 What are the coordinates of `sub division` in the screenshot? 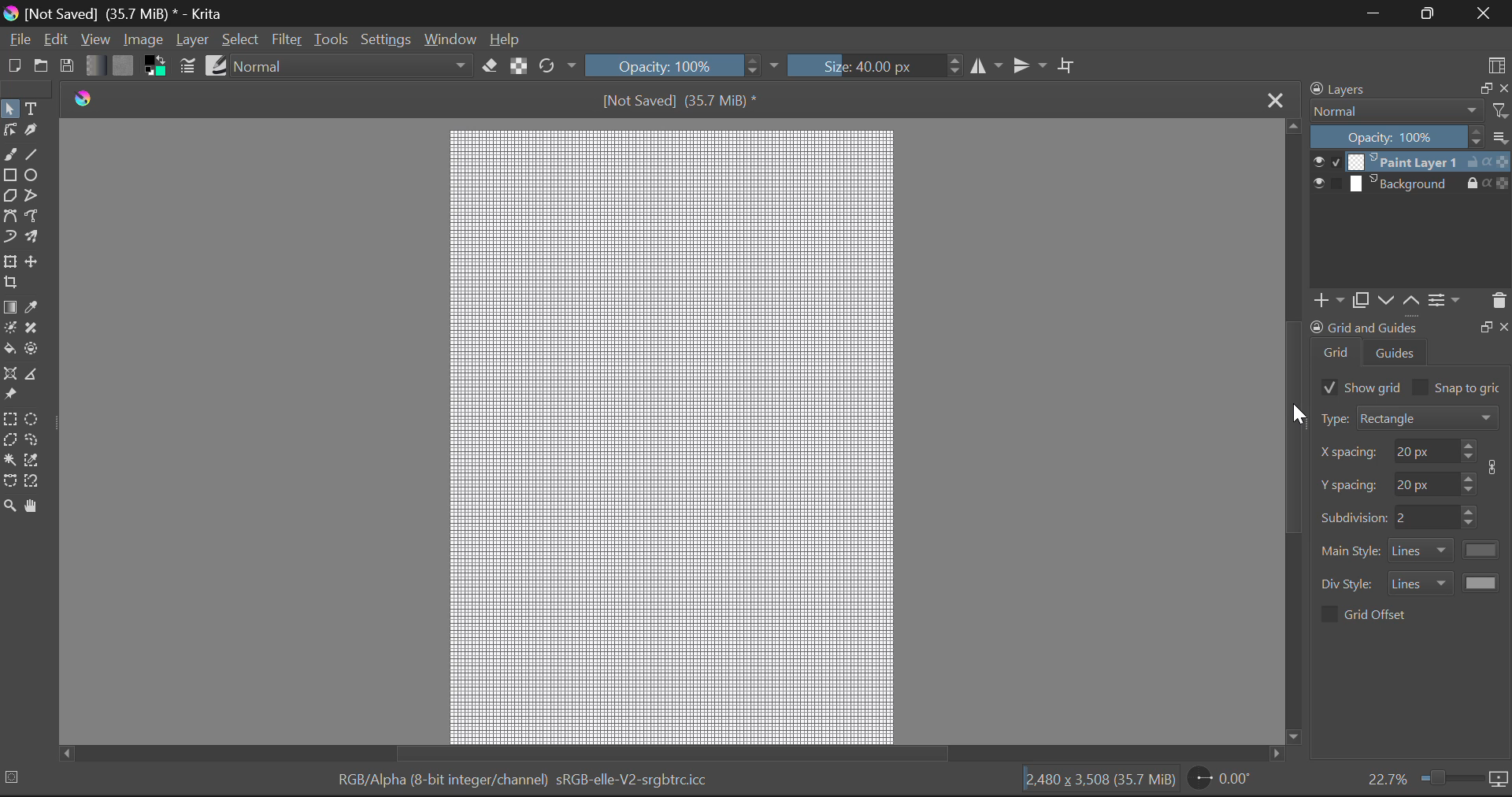 It's located at (1425, 517).